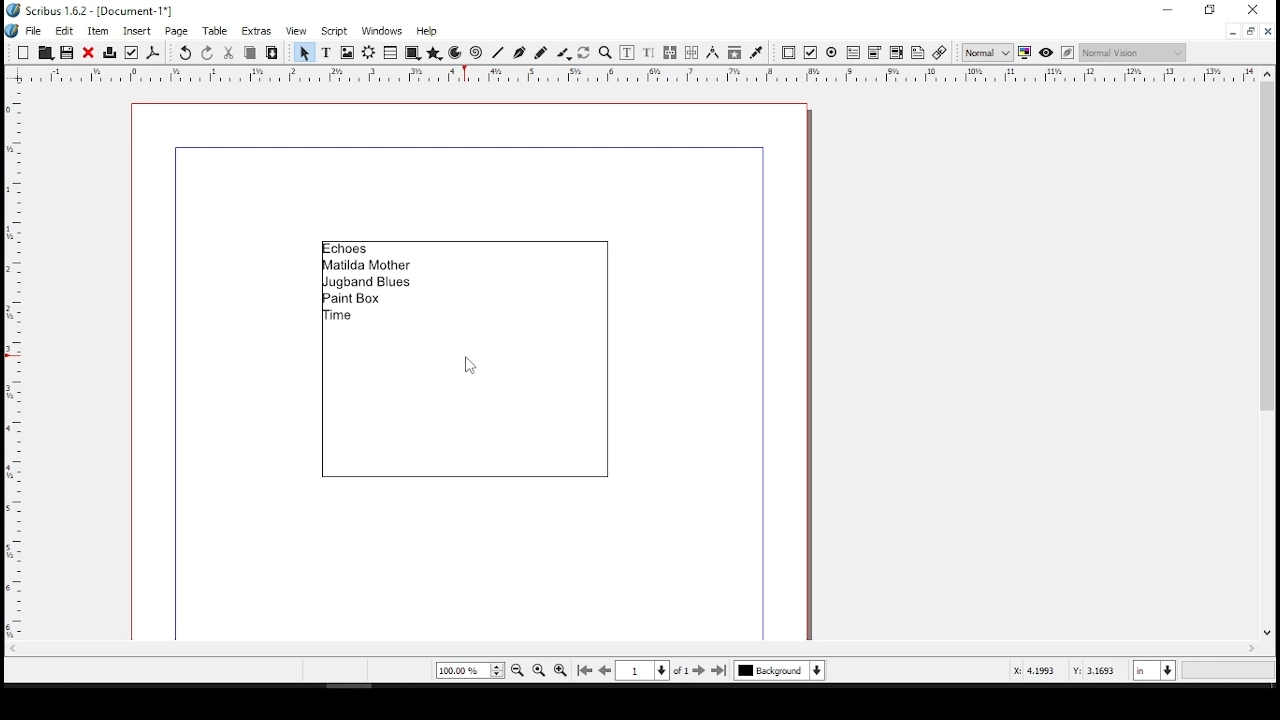  I want to click on restore, so click(1249, 31).